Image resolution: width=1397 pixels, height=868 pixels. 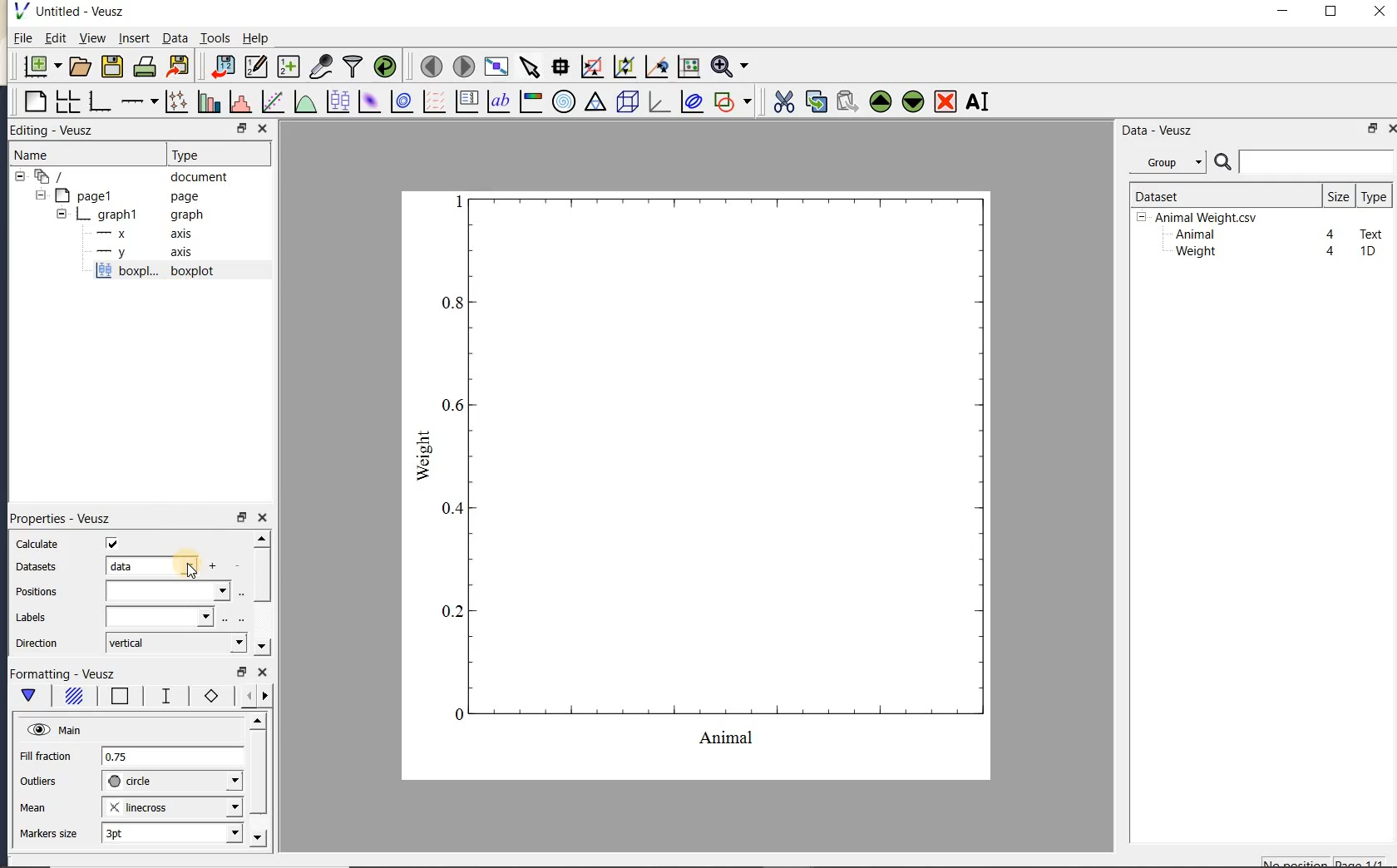 I want to click on read data points on the graph, so click(x=560, y=67).